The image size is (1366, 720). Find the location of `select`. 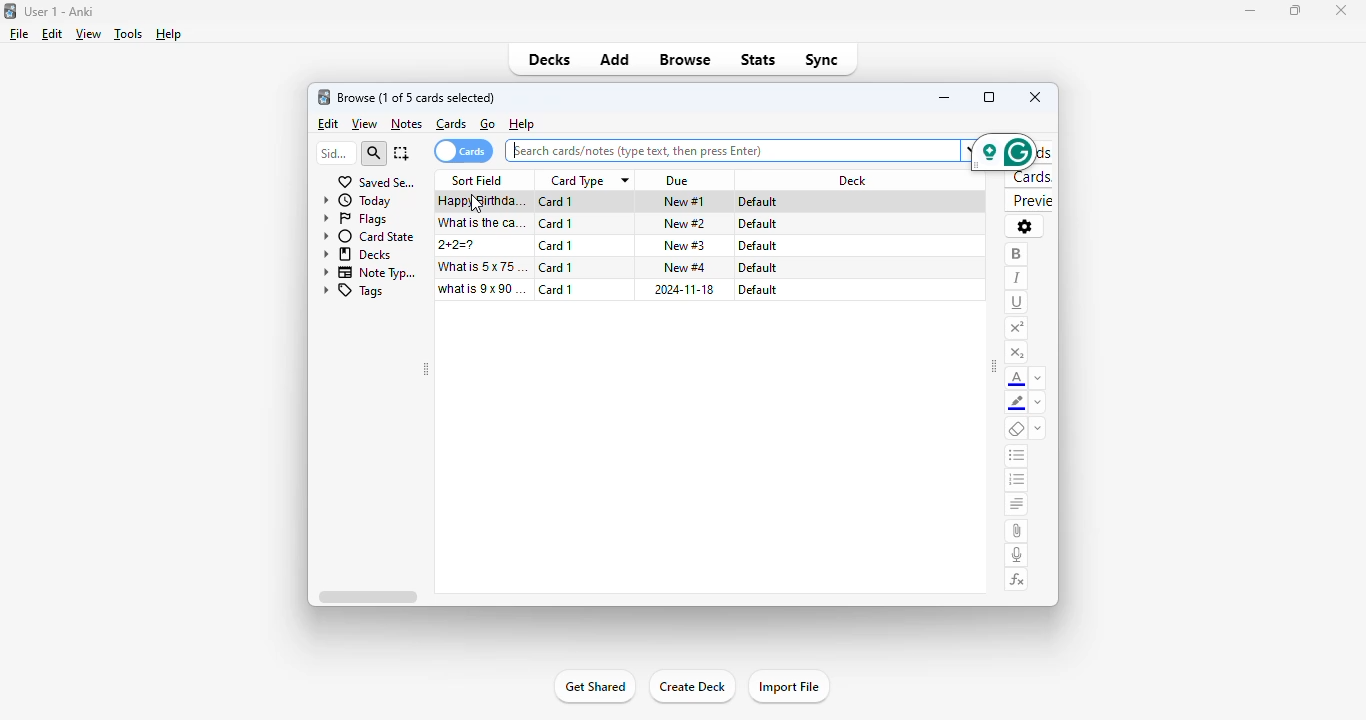

select is located at coordinates (402, 153).